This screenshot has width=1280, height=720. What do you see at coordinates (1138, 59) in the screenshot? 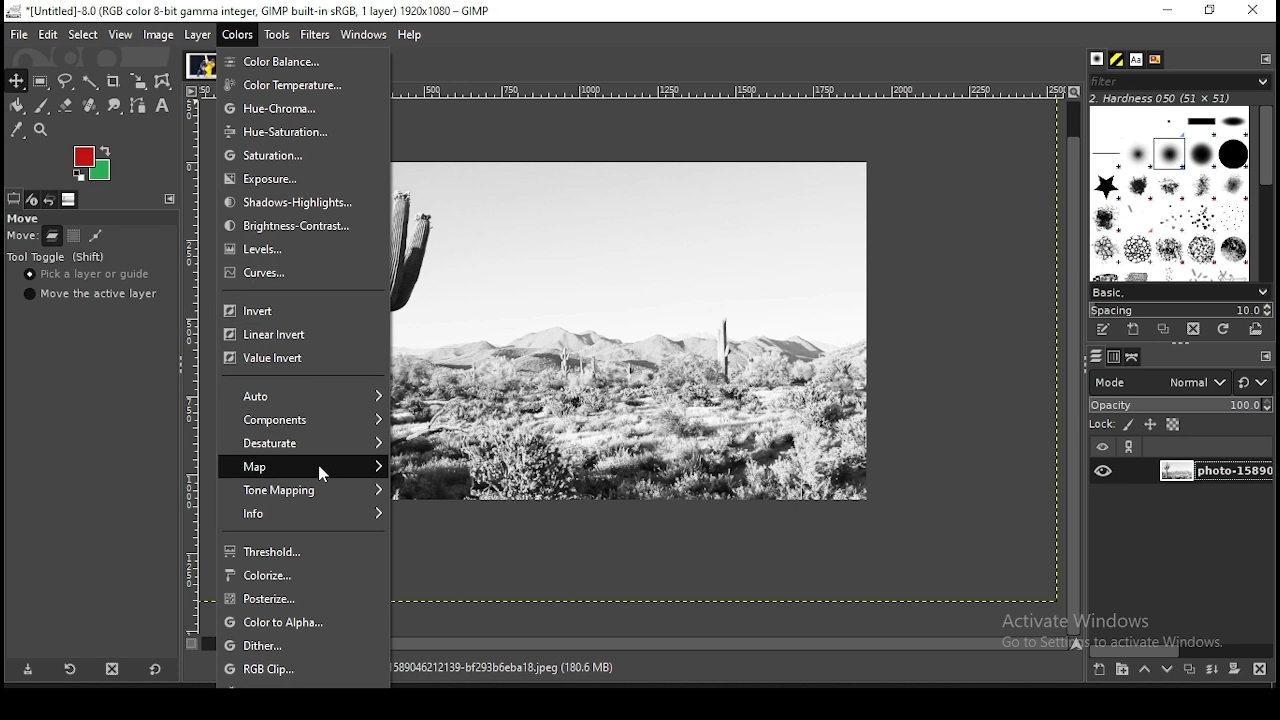
I see `fonts` at bounding box center [1138, 59].